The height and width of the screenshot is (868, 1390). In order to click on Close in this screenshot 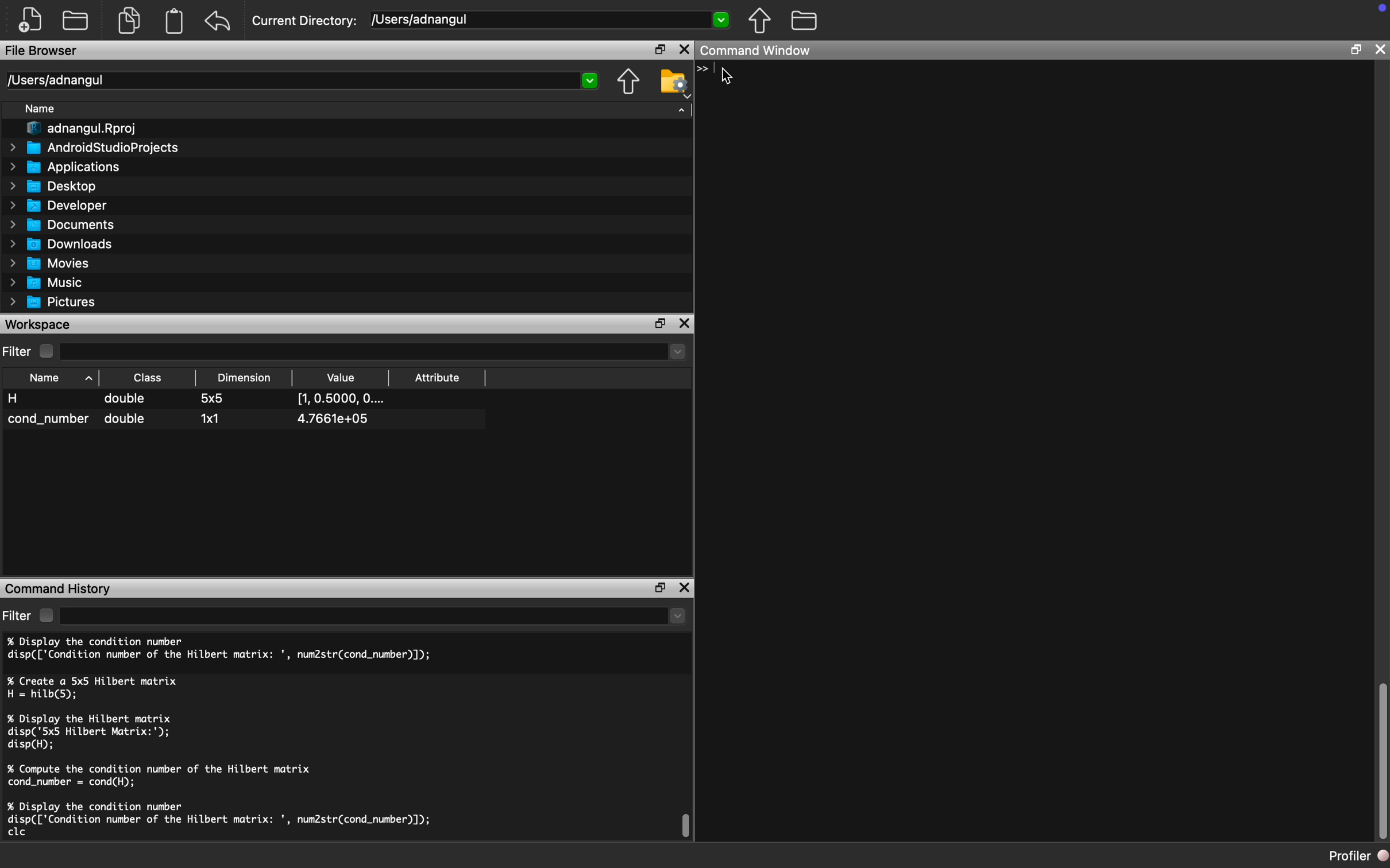, I will do `click(684, 323)`.